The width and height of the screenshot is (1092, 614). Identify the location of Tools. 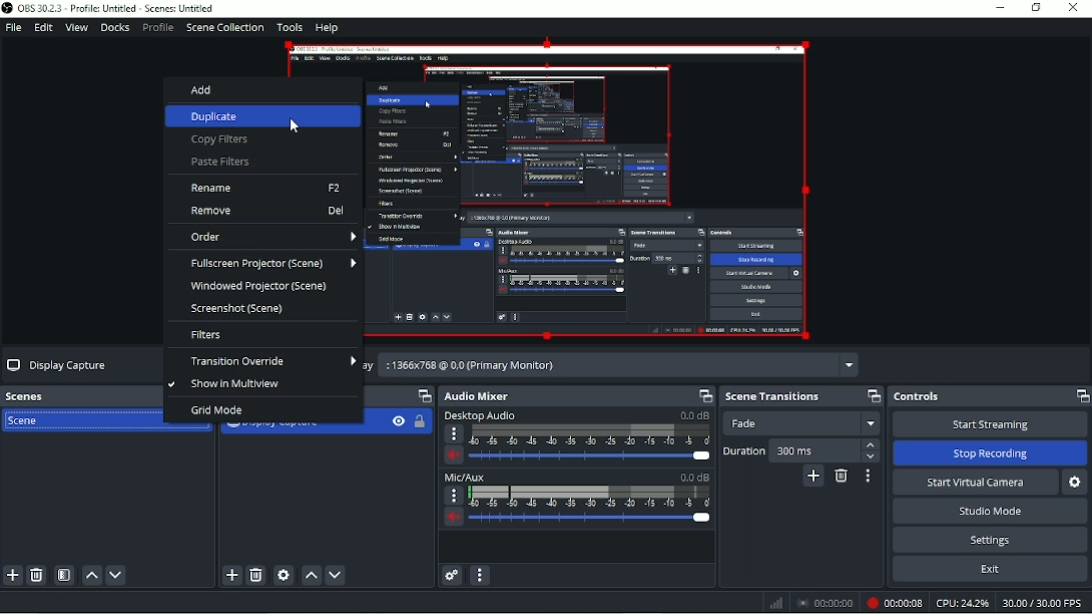
(290, 27).